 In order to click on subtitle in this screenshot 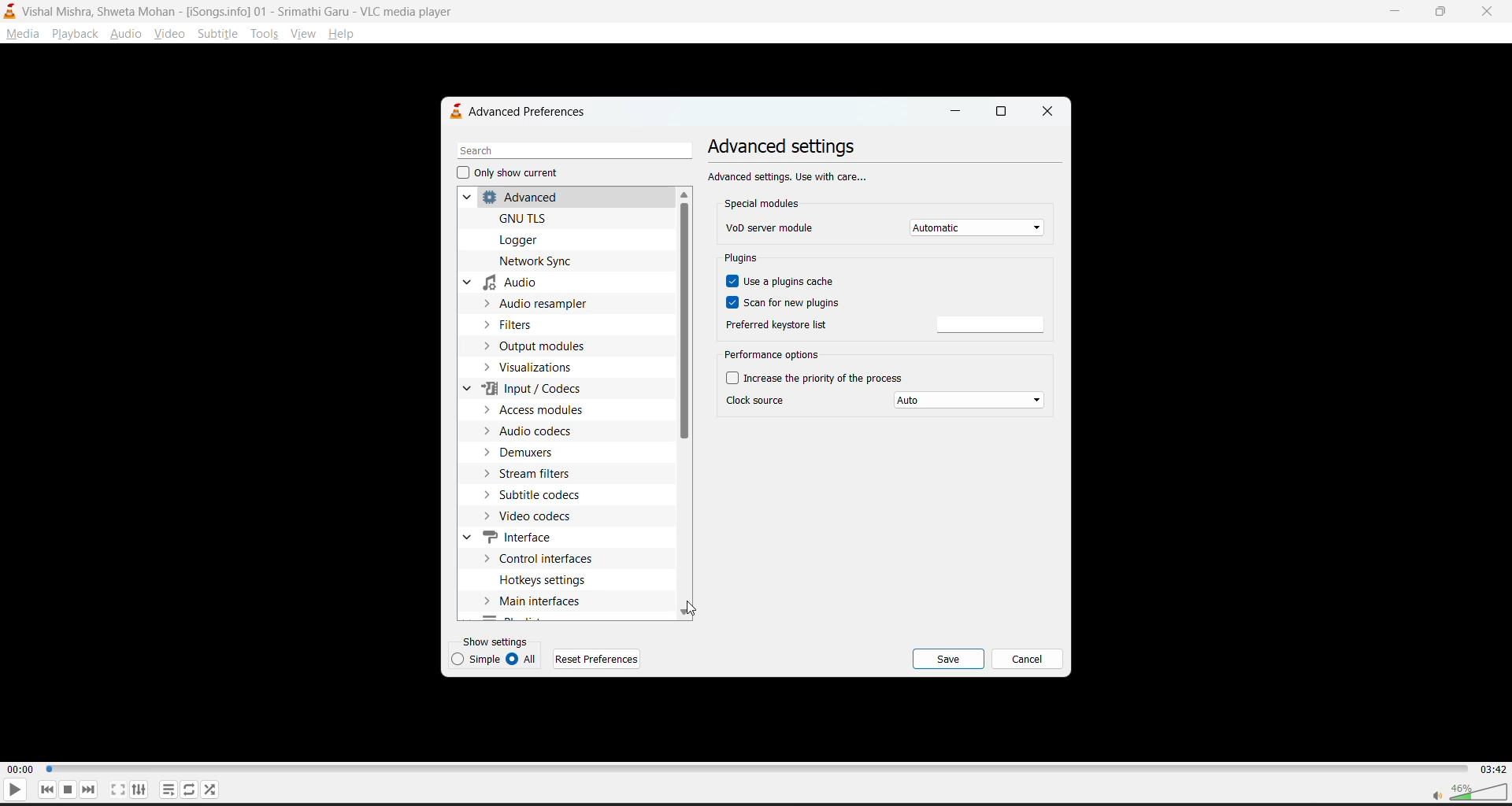, I will do `click(218, 35)`.